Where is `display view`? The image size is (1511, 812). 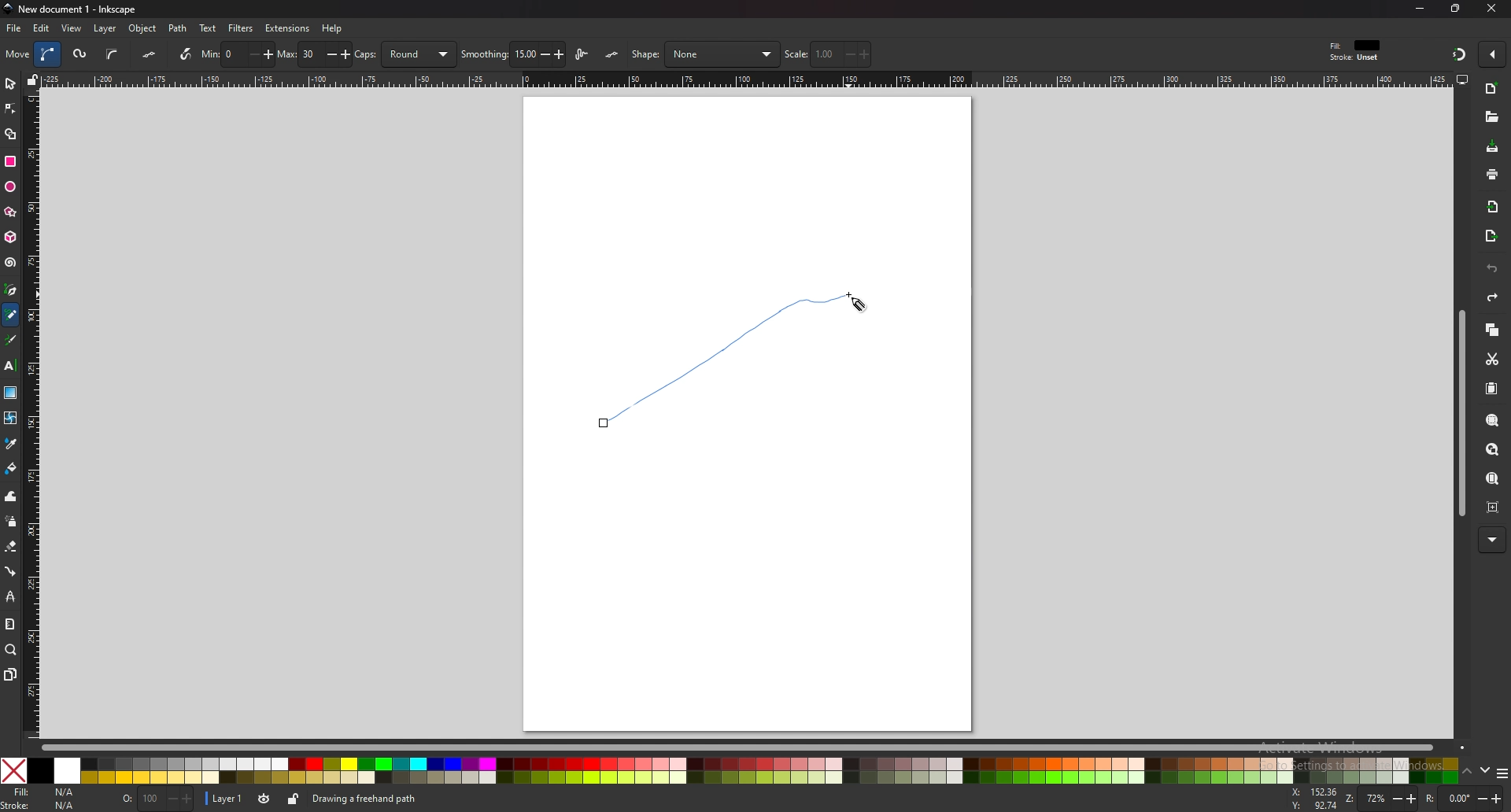 display view is located at coordinates (1462, 79).